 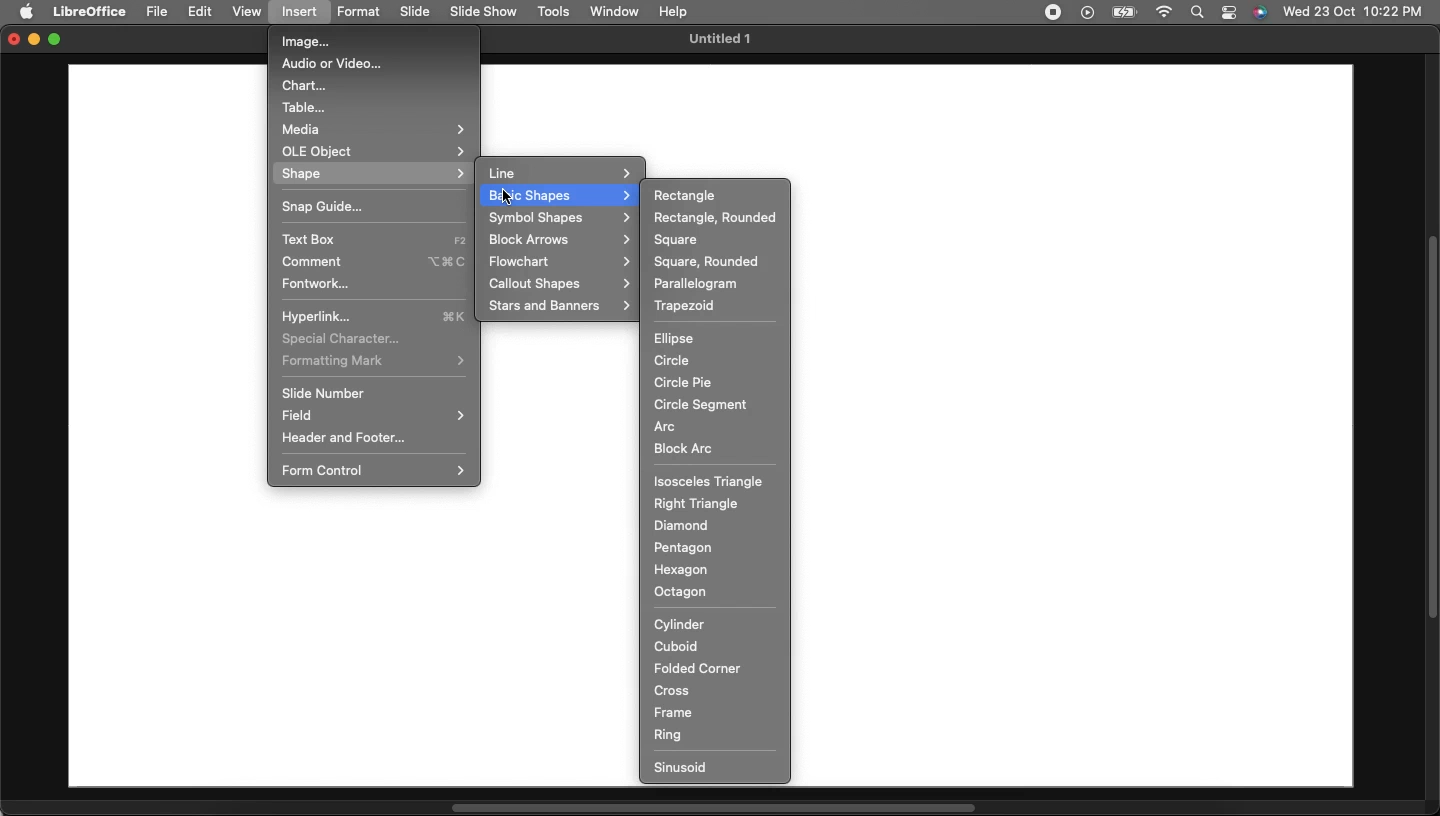 I want to click on Date/time, so click(x=1353, y=11).